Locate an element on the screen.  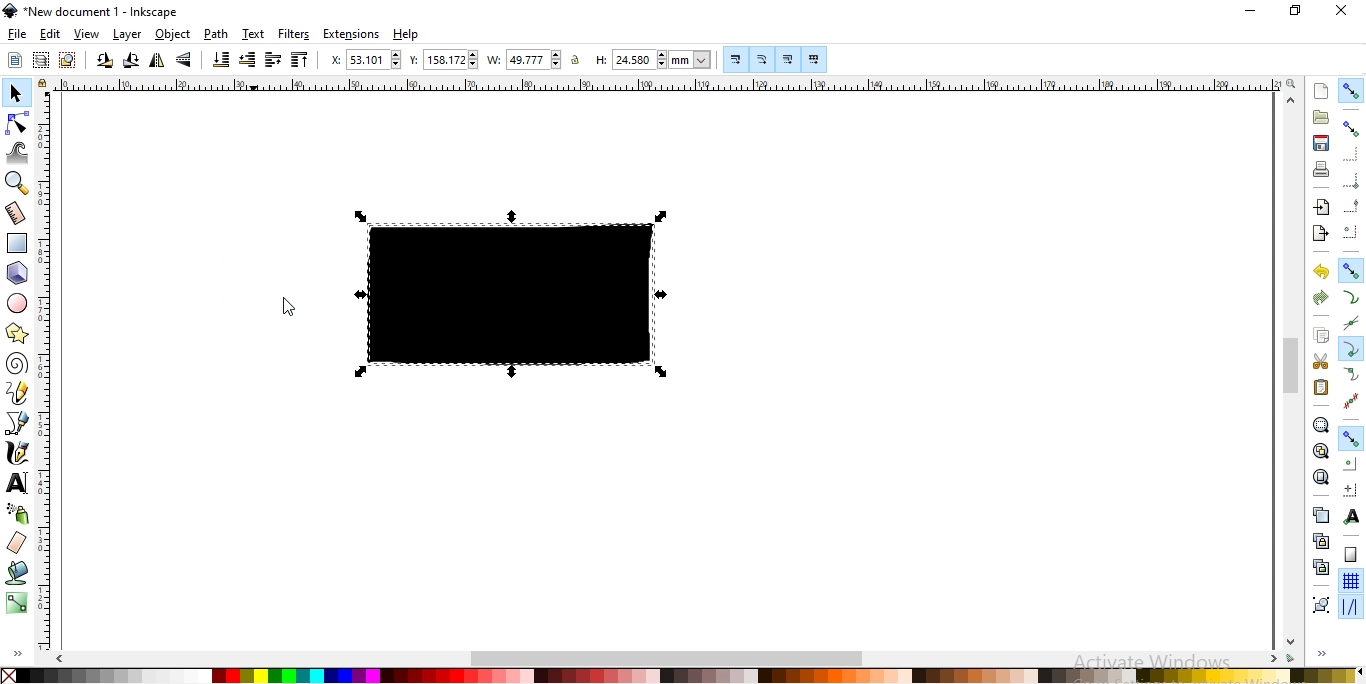
cut the selected clones links to the objects is located at coordinates (1318, 568).